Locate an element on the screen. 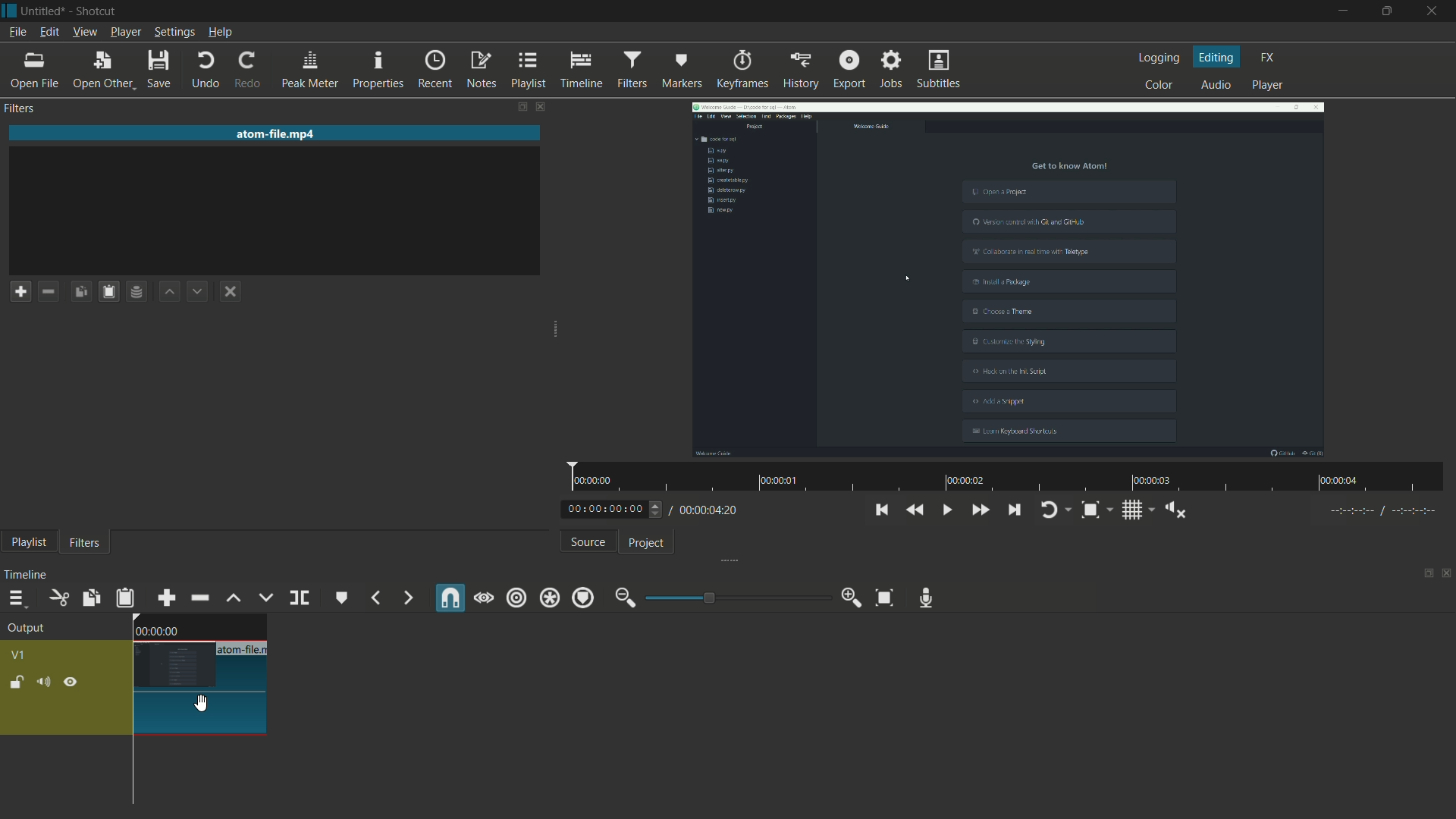 This screenshot has width=1456, height=819. file menu is located at coordinates (17, 32).